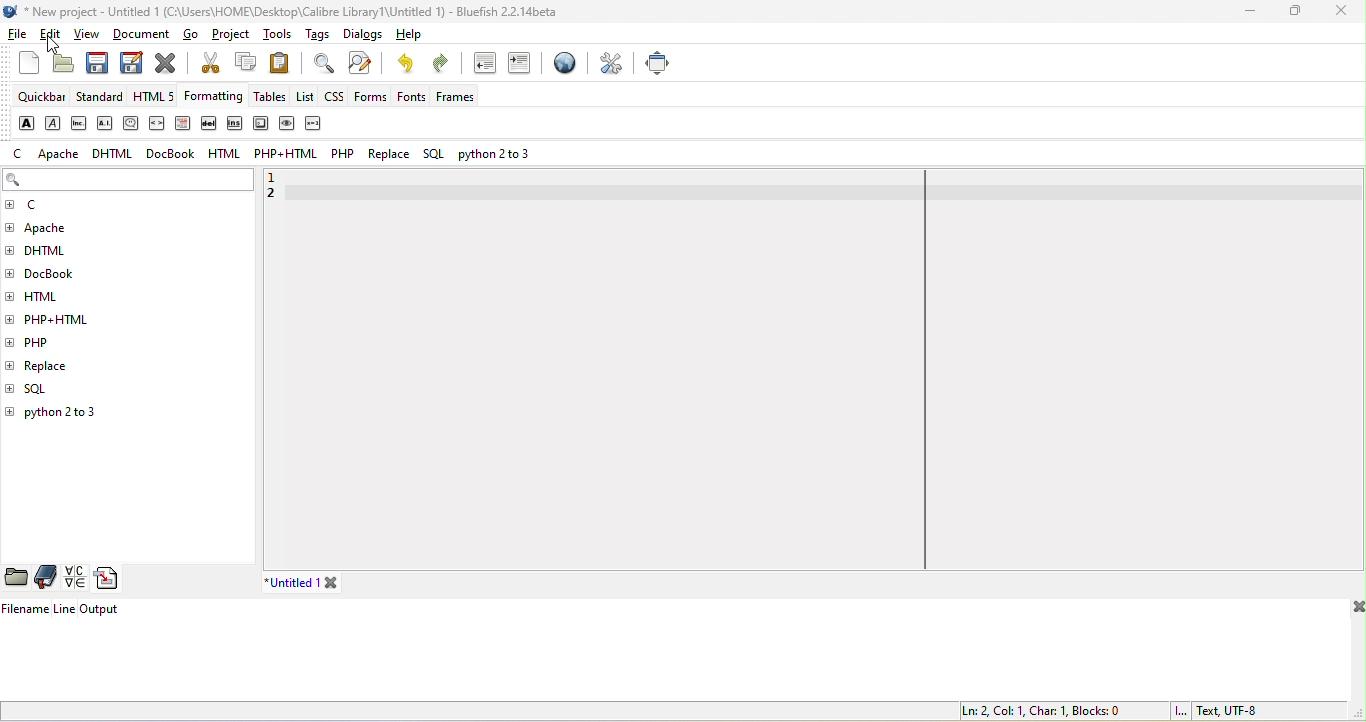  I want to click on open, so click(62, 64).